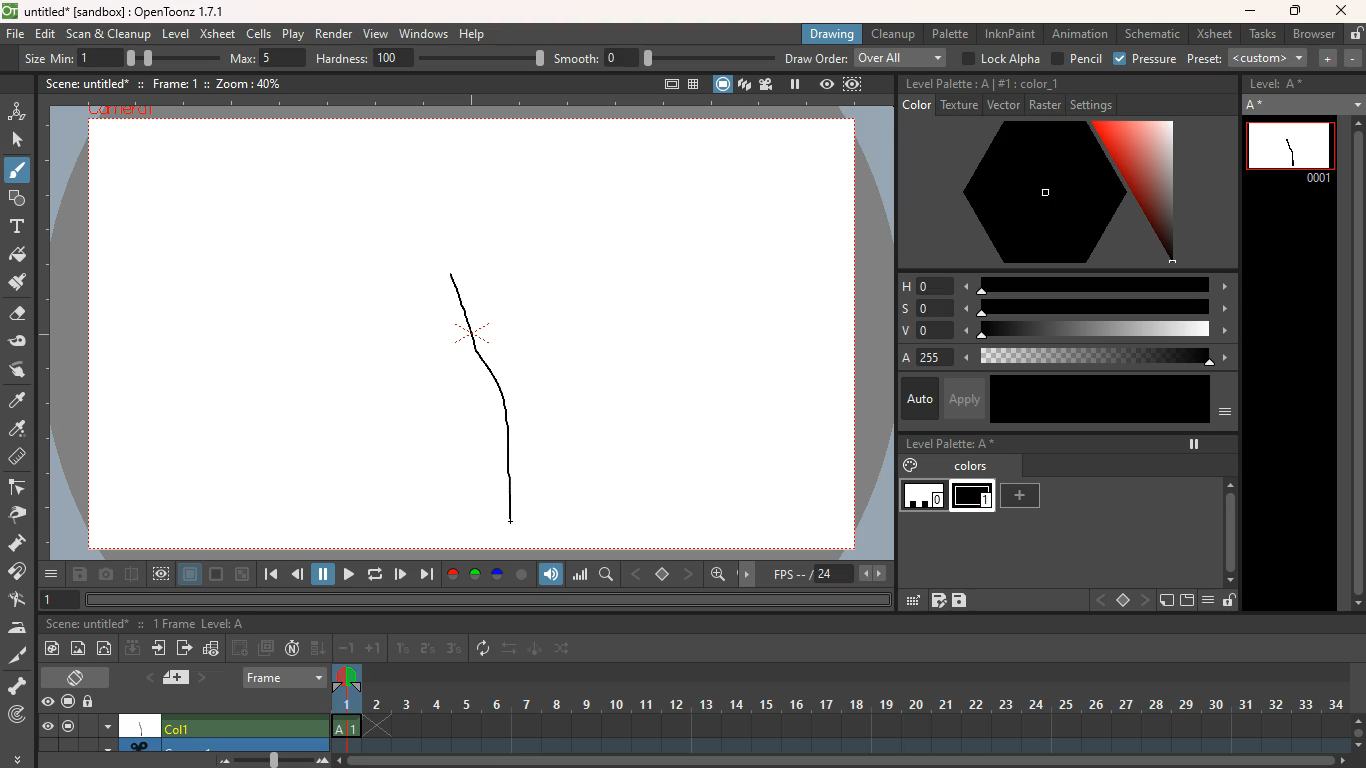 This screenshot has width=1366, height=768. Describe the element at coordinates (69, 727) in the screenshot. I see `screen` at that location.